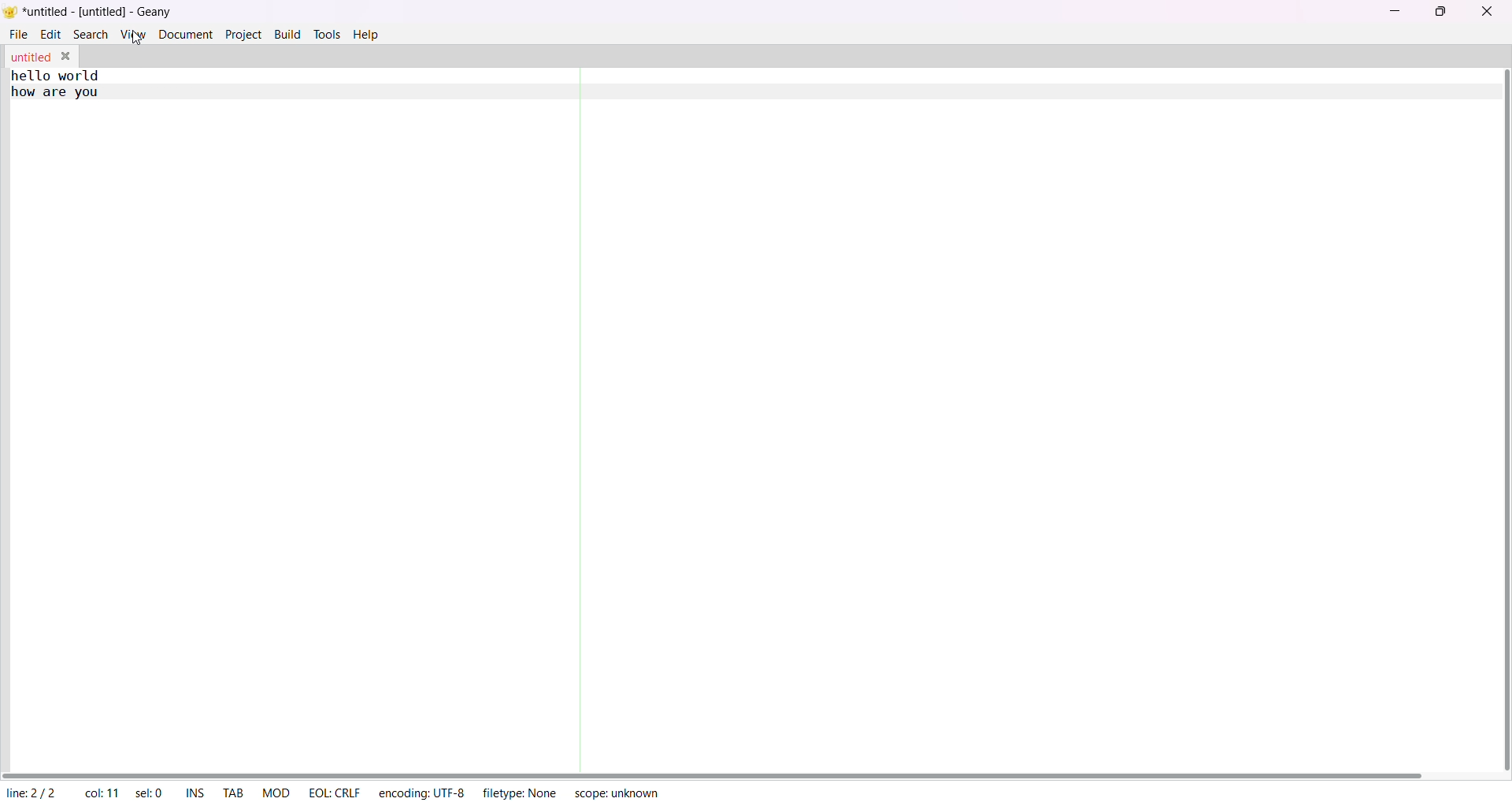 The width and height of the screenshot is (1512, 802). I want to click on tab name, so click(30, 56).